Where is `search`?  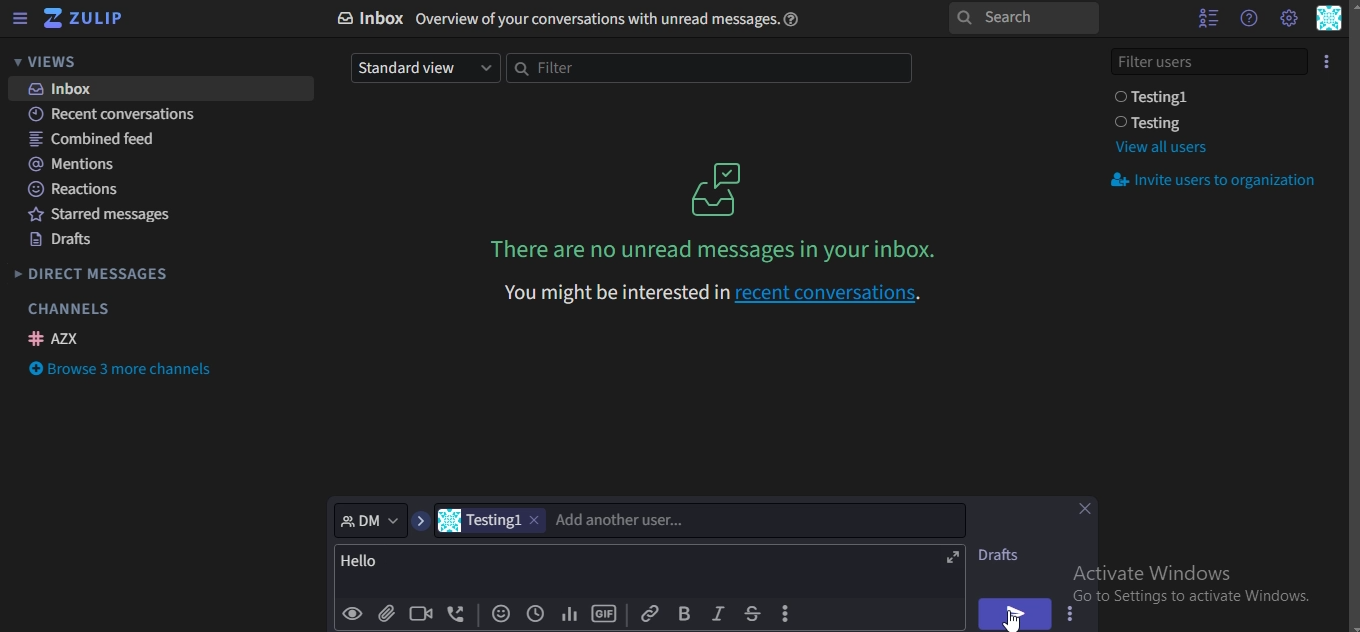
search is located at coordinates (1022, 19).